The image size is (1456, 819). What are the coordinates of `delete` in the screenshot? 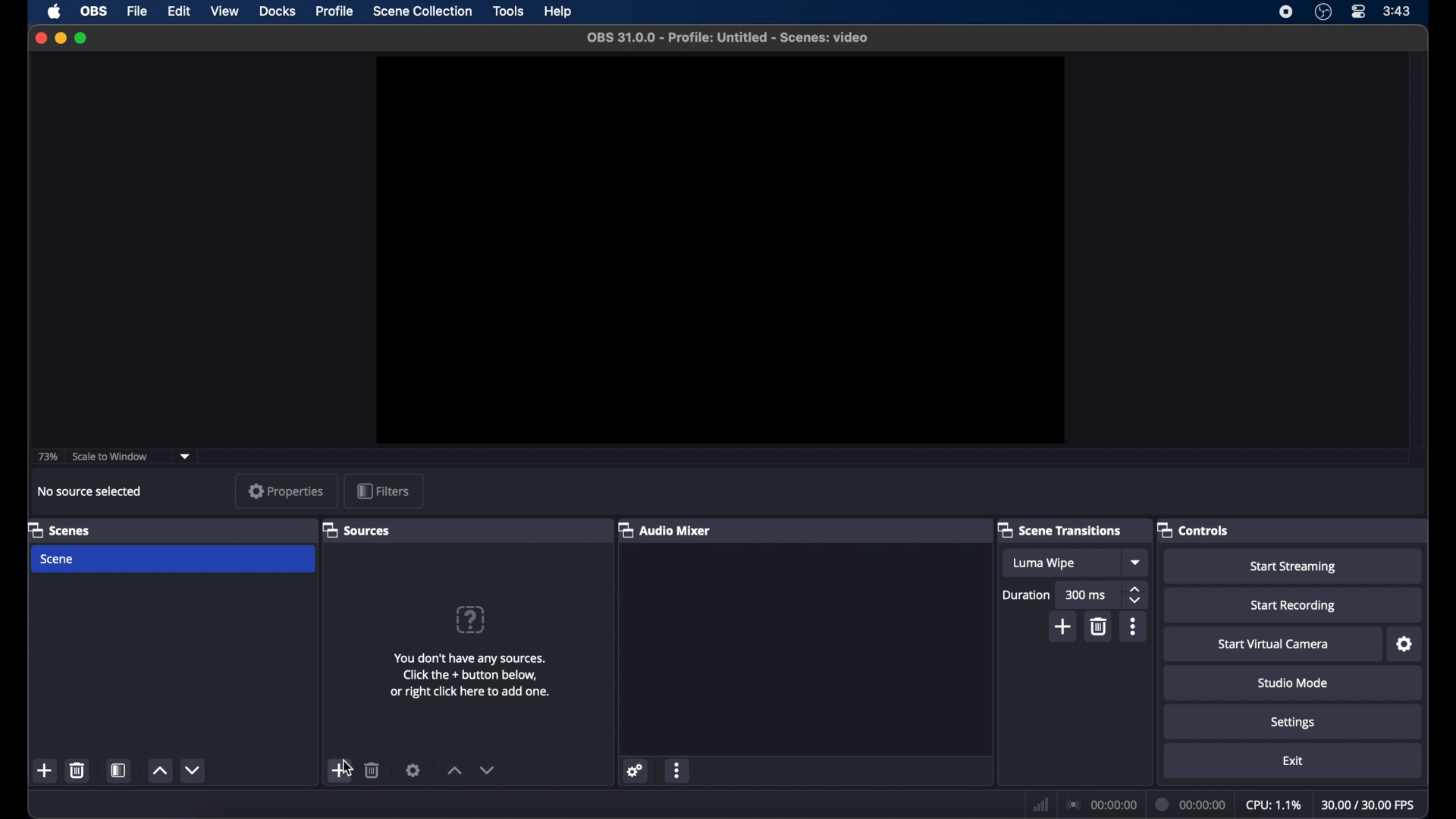 It's located at (373, 770).